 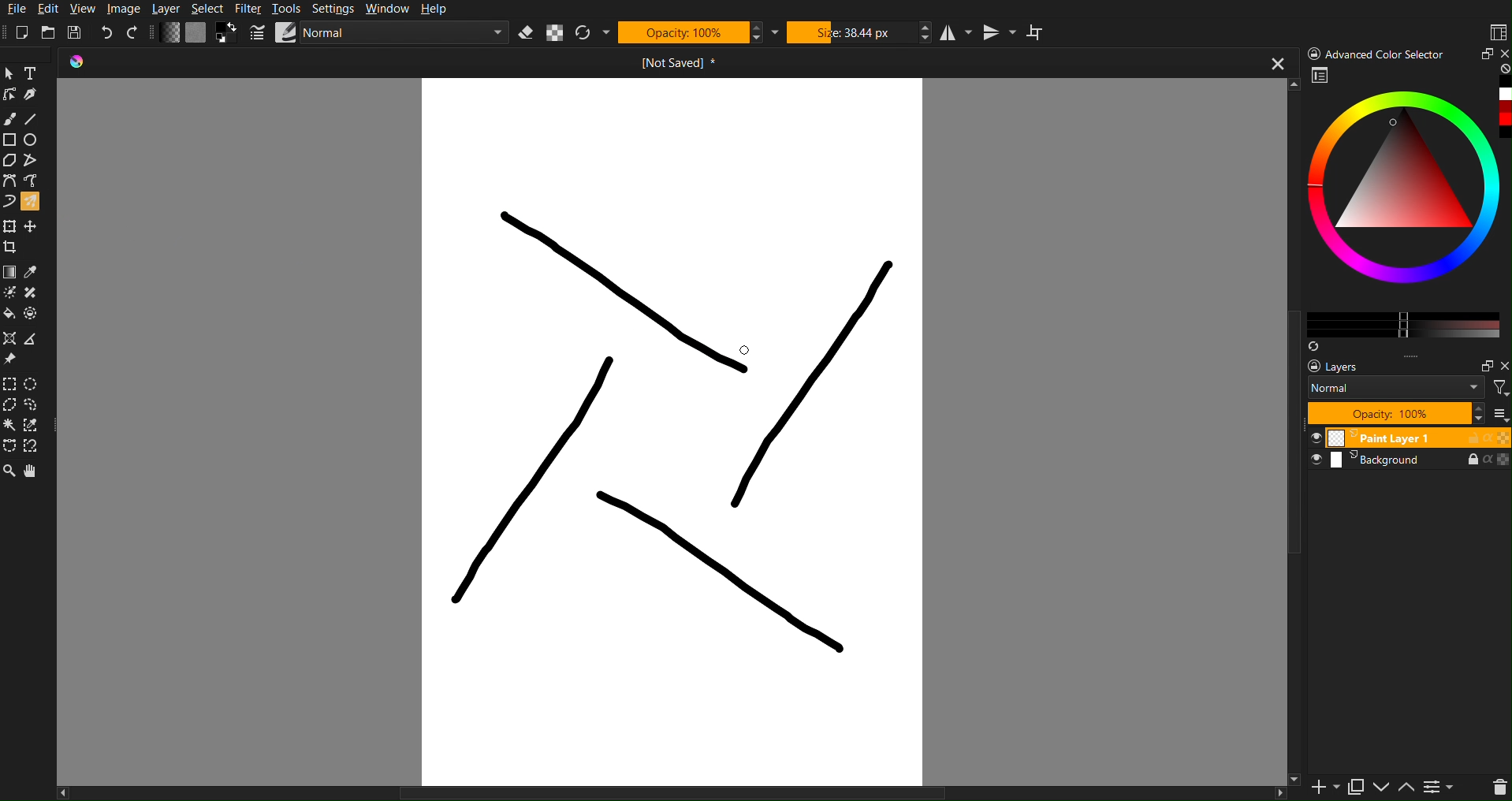 I want to click on up, so click(x=1406, y=789).